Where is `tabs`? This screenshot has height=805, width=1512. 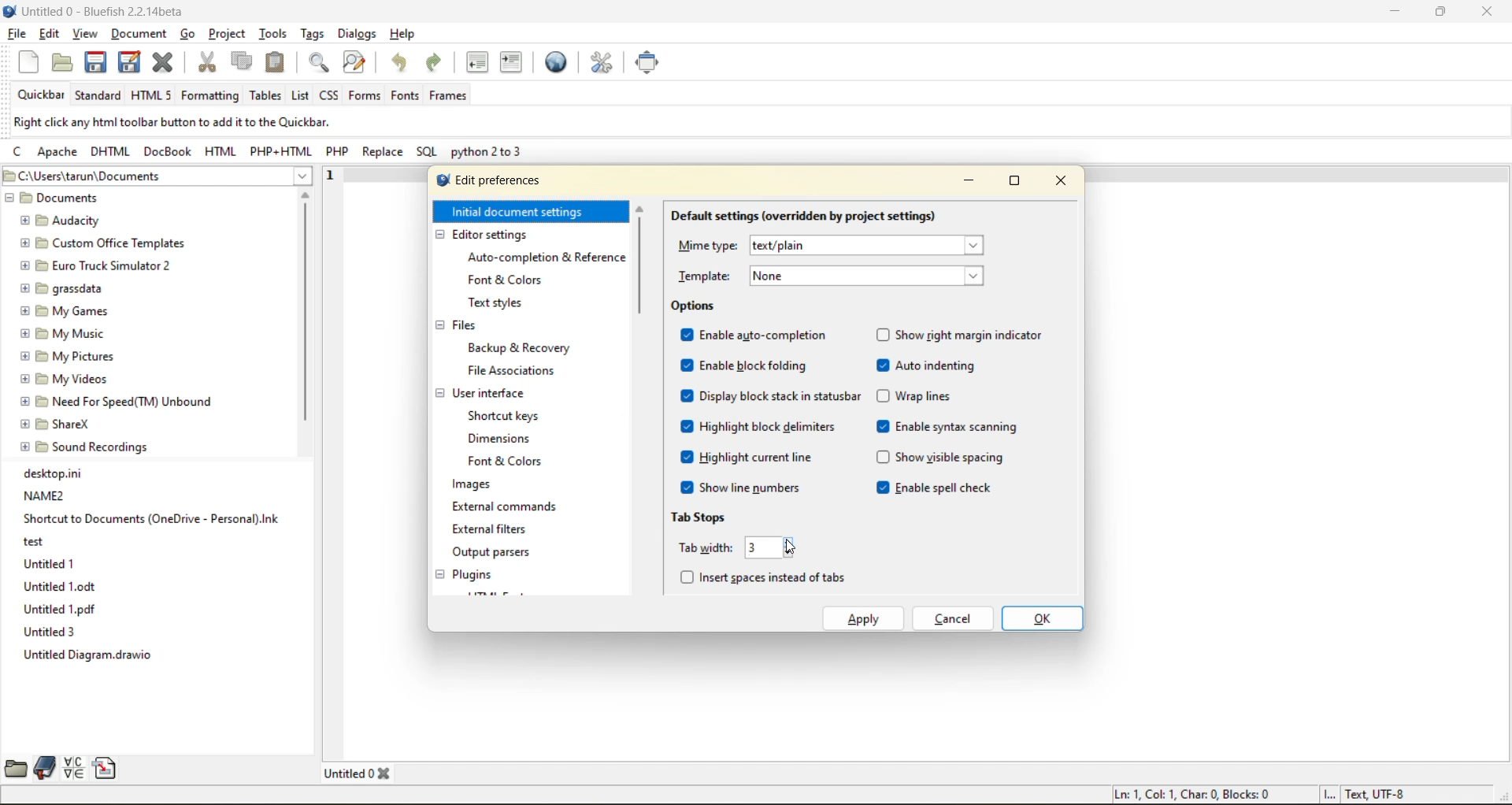
tabs is located at coordinates (361, 772).